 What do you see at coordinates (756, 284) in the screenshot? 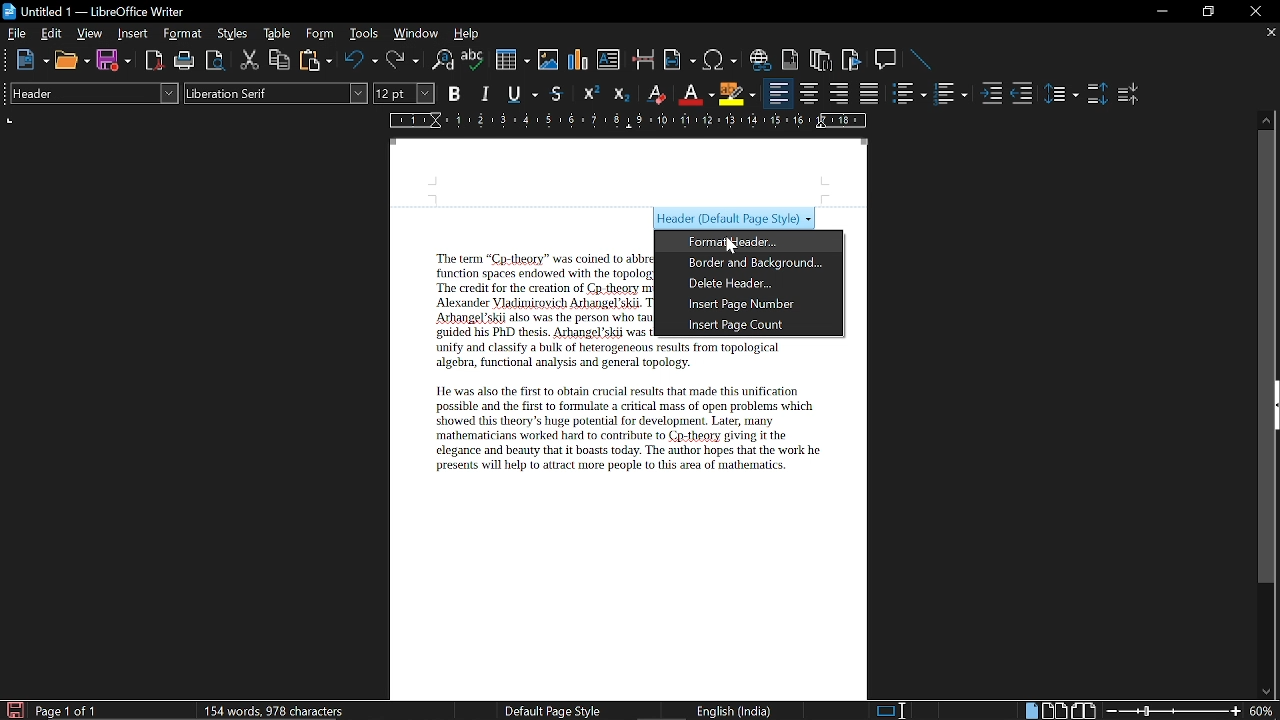
I see `Delete header` at bounding box center [756, 284].